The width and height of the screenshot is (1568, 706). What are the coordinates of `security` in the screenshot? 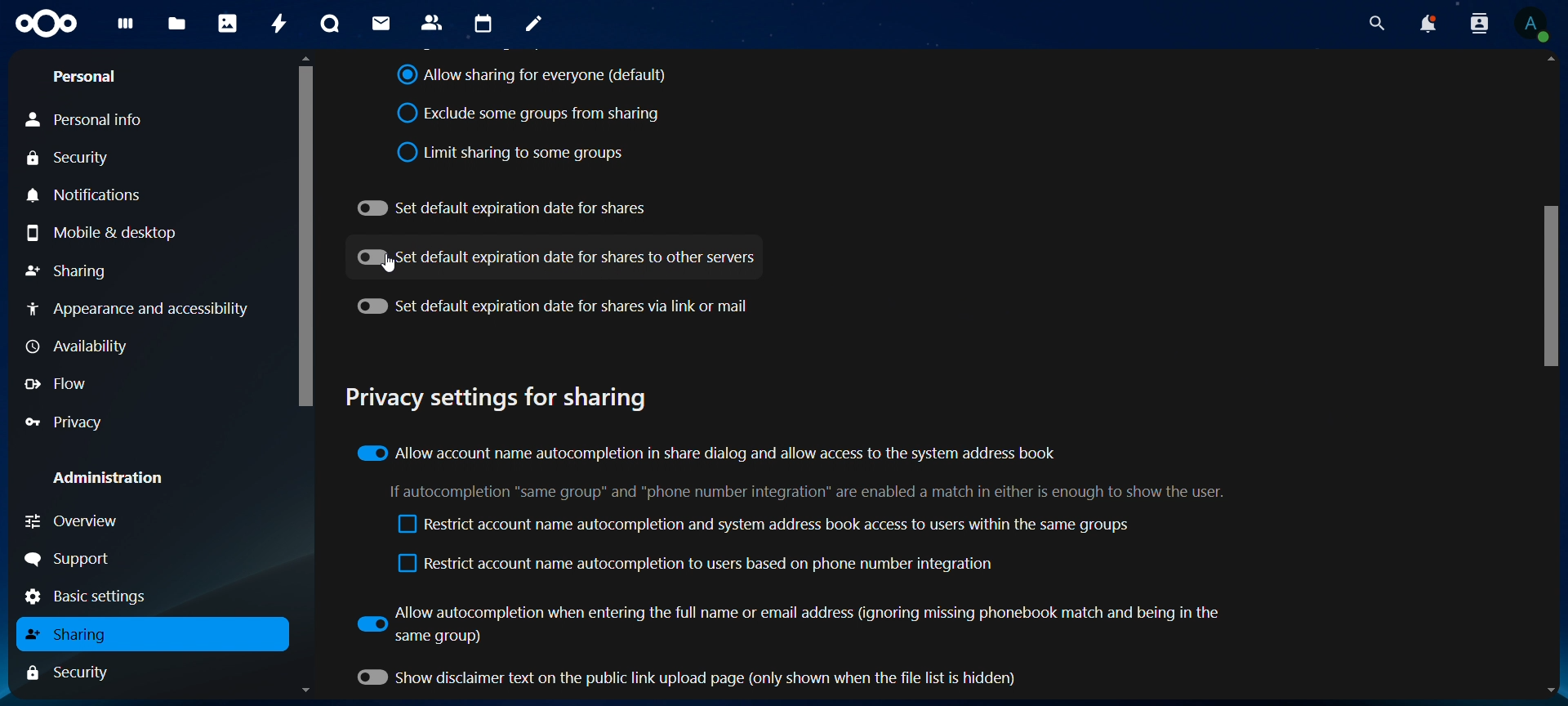 It's located at (78, 158).